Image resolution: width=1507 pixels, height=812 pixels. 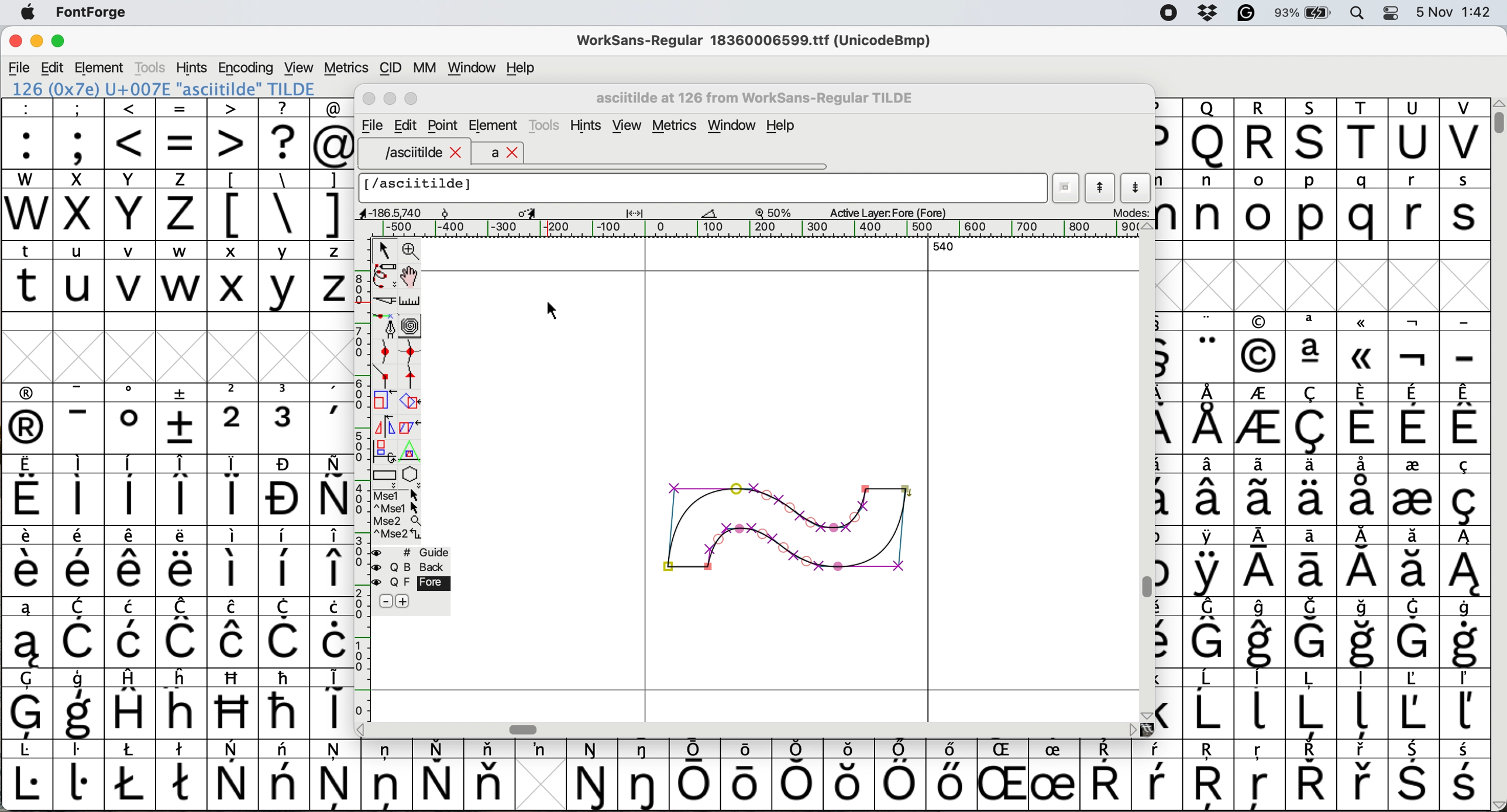 I want to click on , so click(x=1364, y=347).